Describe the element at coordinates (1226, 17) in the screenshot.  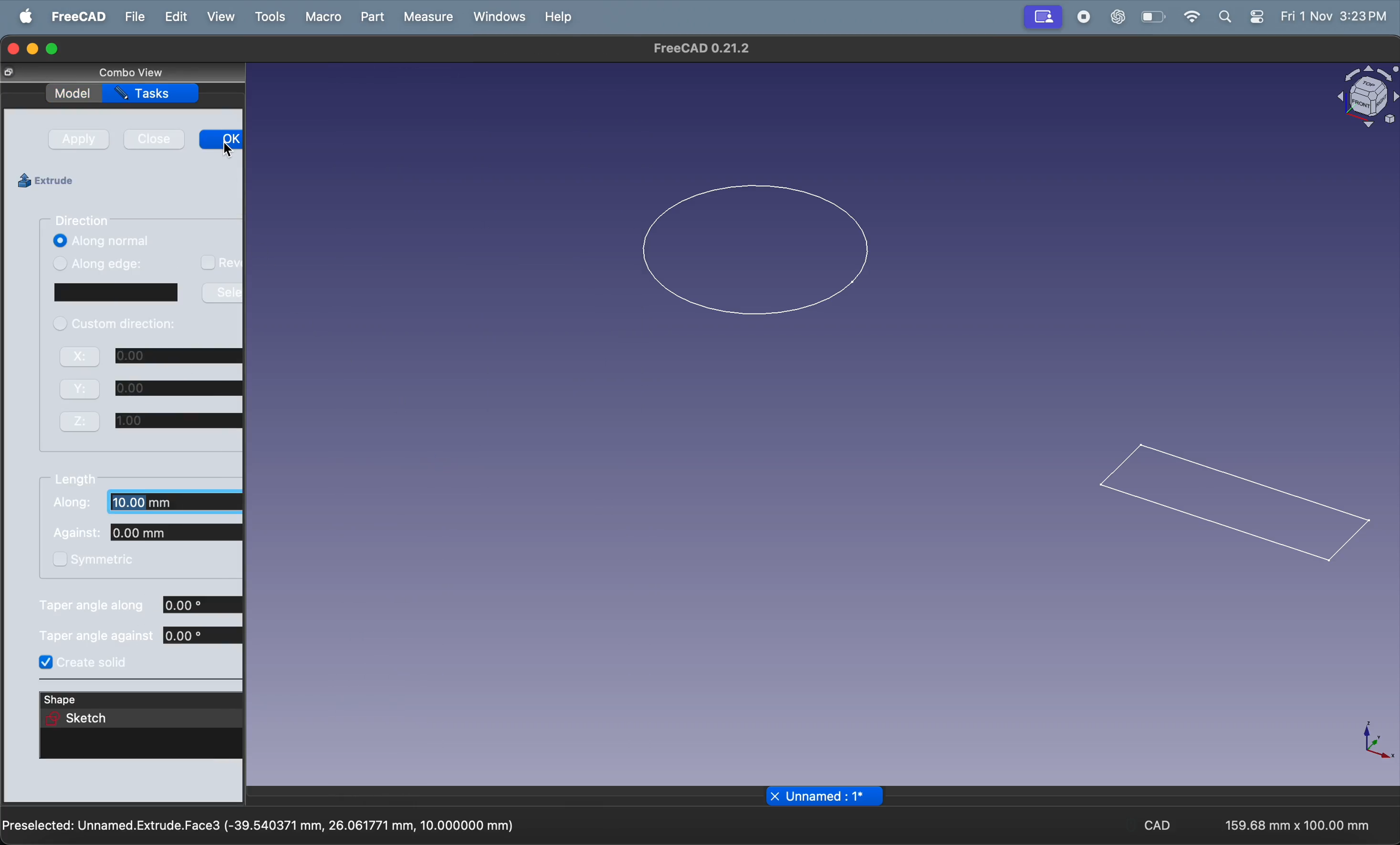
I see `search` at that location.